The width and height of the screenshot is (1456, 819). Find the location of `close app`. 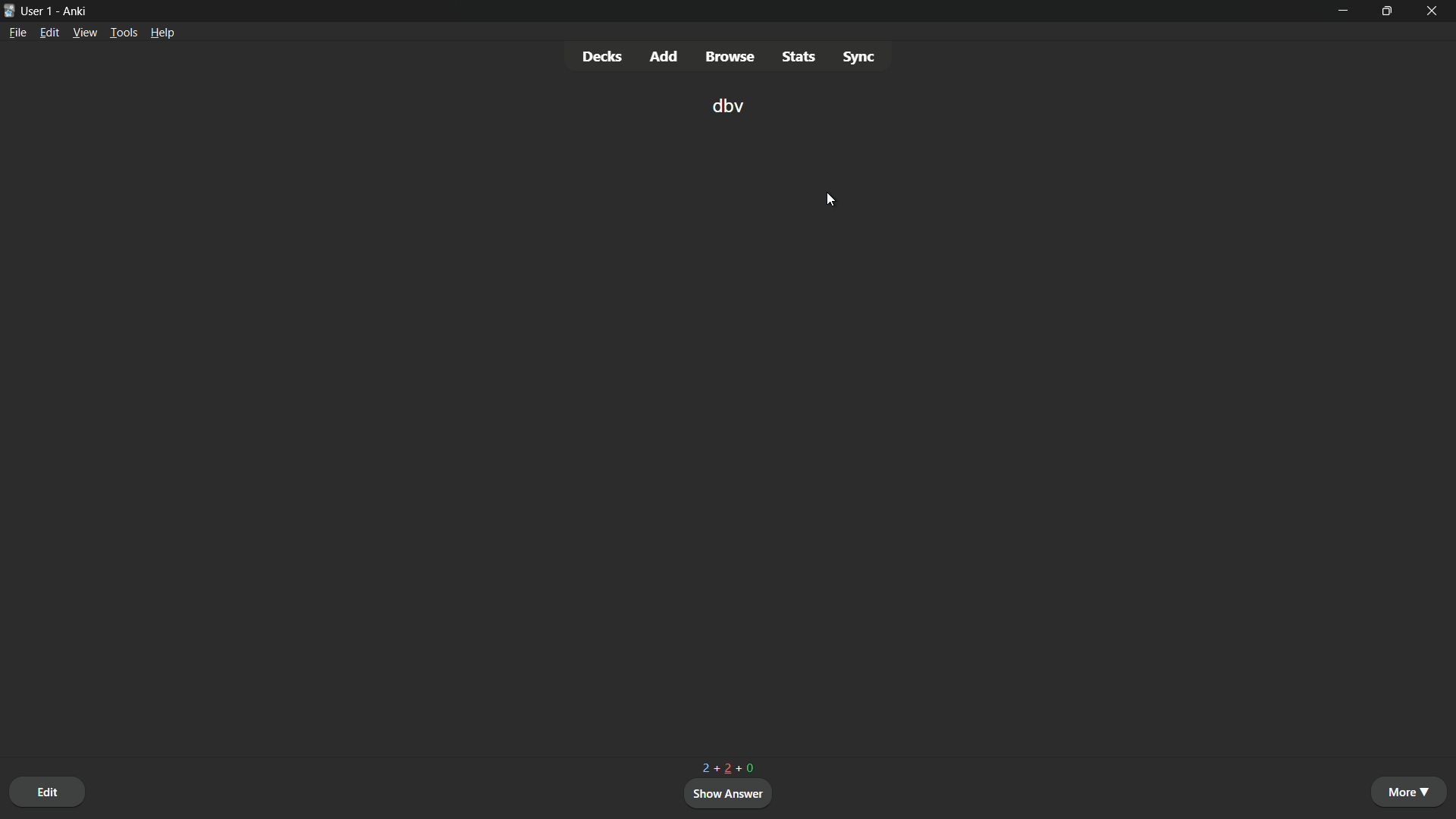

close app is located at coordinates (1433, 11).